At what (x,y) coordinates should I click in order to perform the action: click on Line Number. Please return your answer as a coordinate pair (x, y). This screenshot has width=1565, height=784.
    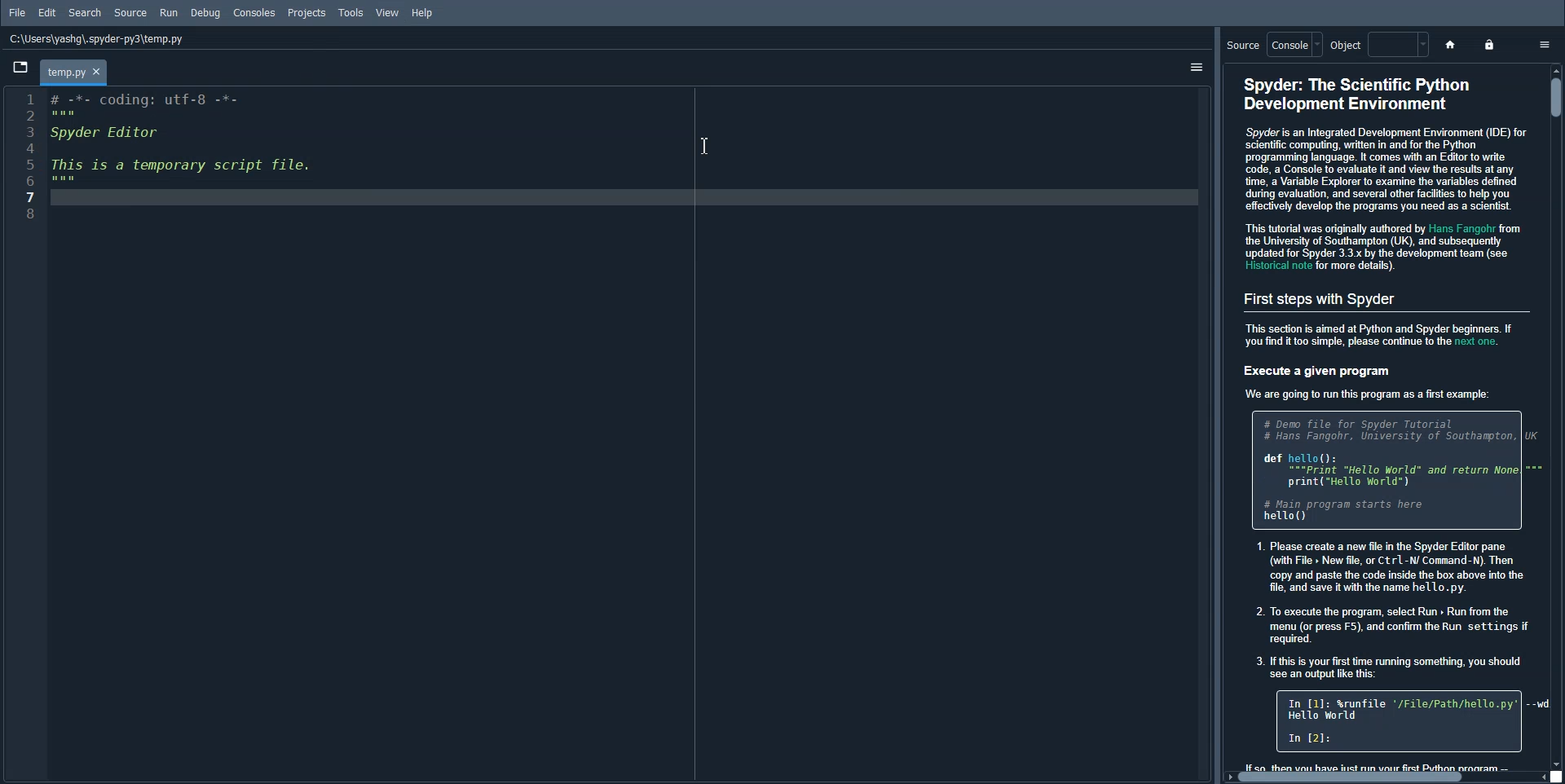
    Looking at the image, I should click on (25, 153).